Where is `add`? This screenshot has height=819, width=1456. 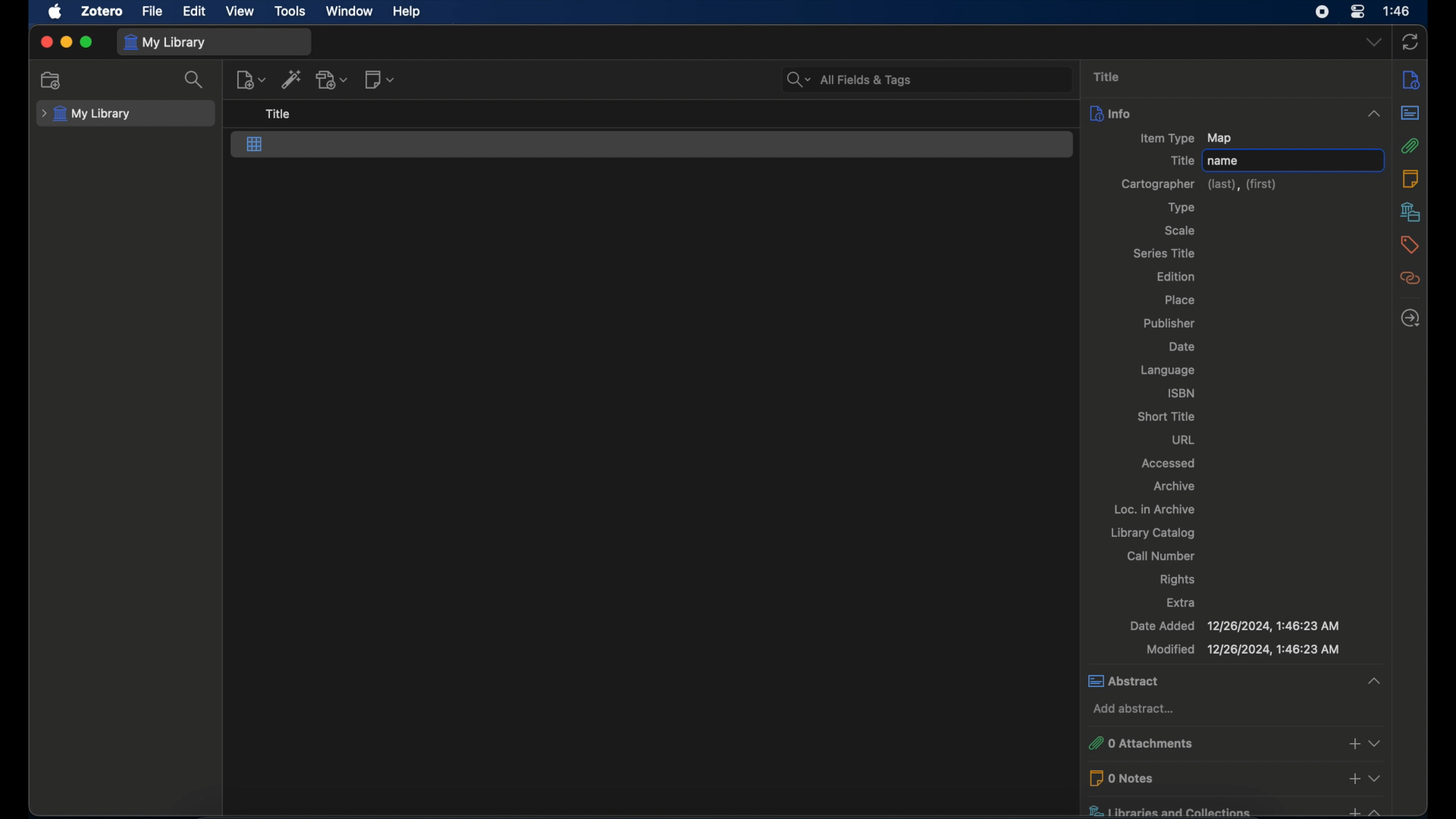
add is located at coordinates (1354, 778).